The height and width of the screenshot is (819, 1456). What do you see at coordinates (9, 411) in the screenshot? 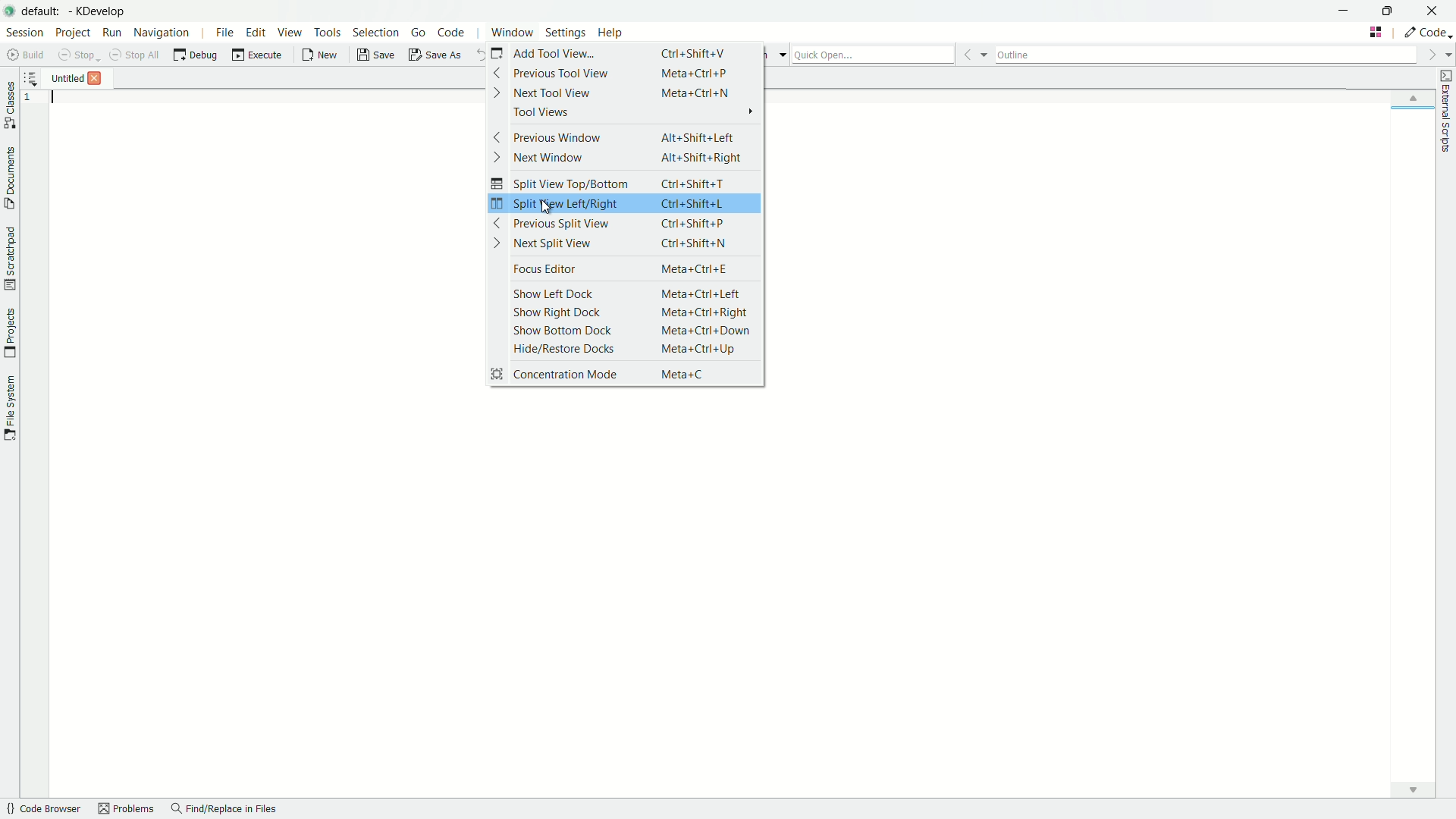
I see `toggle file system` at bounding box center [9, 411].